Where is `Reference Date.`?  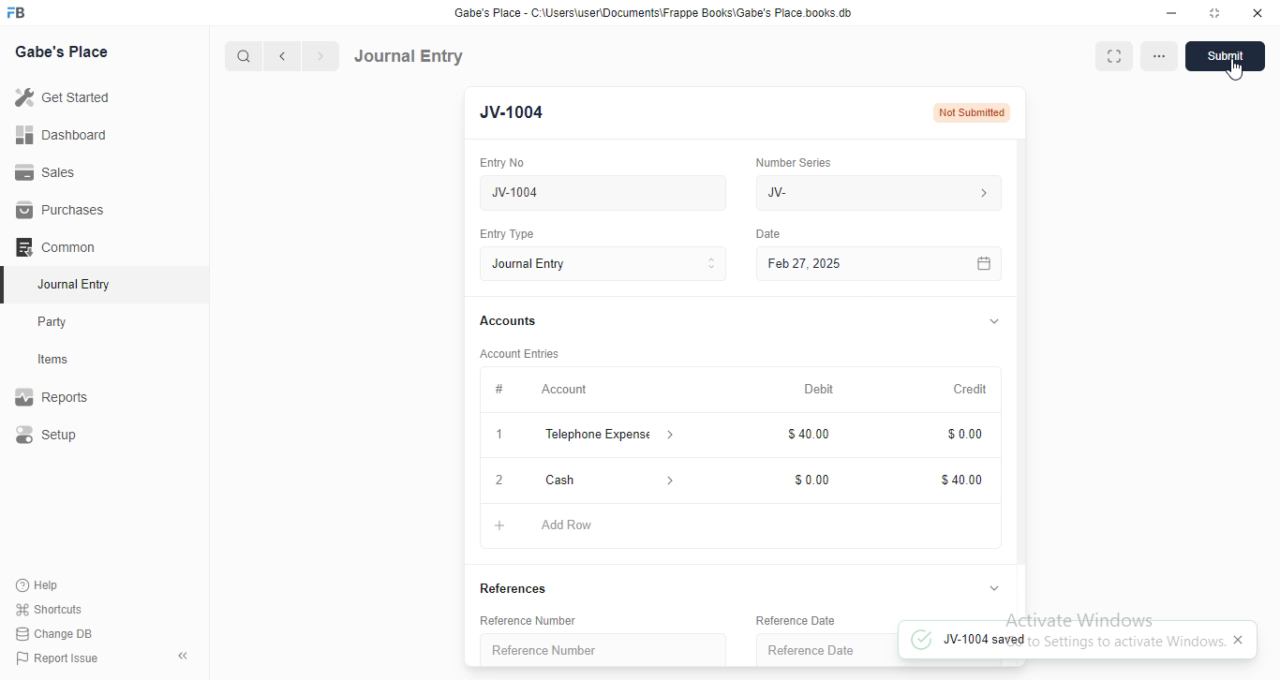 Reference Date. is located at coordinates (806, 650).